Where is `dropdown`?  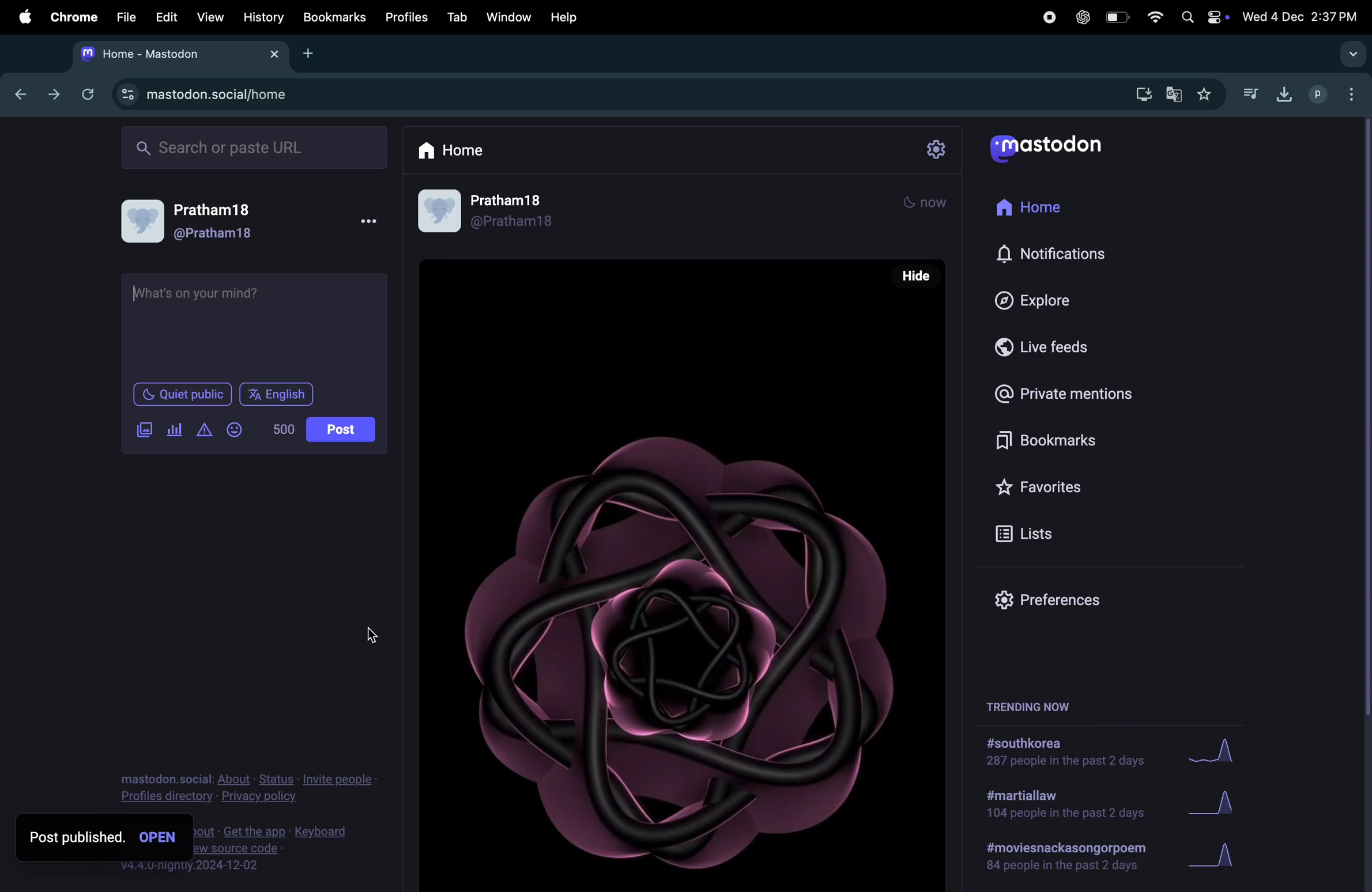 dropdown is located at coordinates (1351, 54).